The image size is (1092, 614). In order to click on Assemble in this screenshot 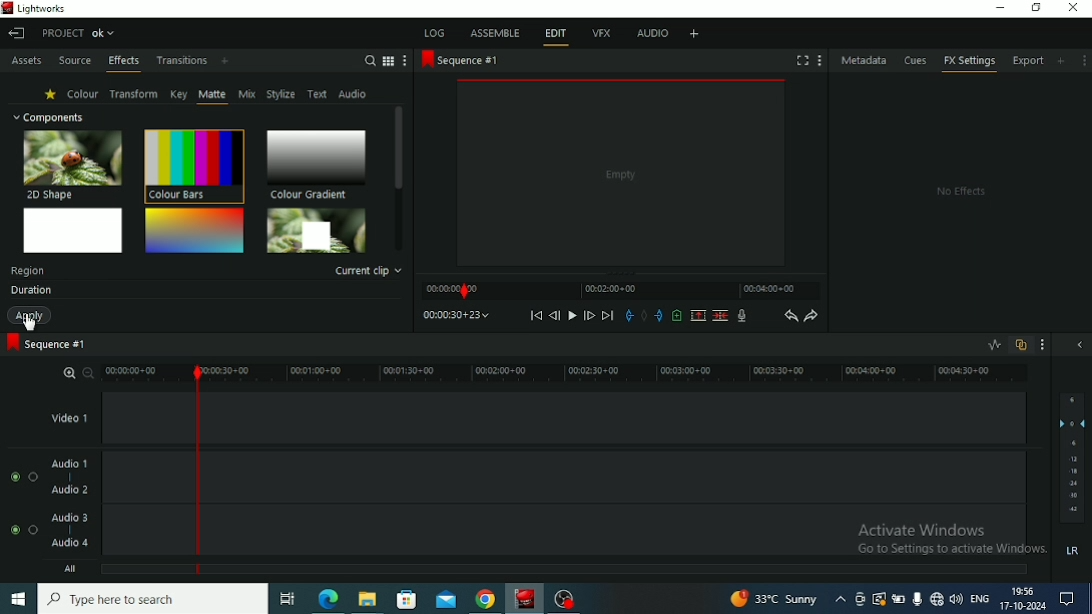, I will do `click(494, 32)`.